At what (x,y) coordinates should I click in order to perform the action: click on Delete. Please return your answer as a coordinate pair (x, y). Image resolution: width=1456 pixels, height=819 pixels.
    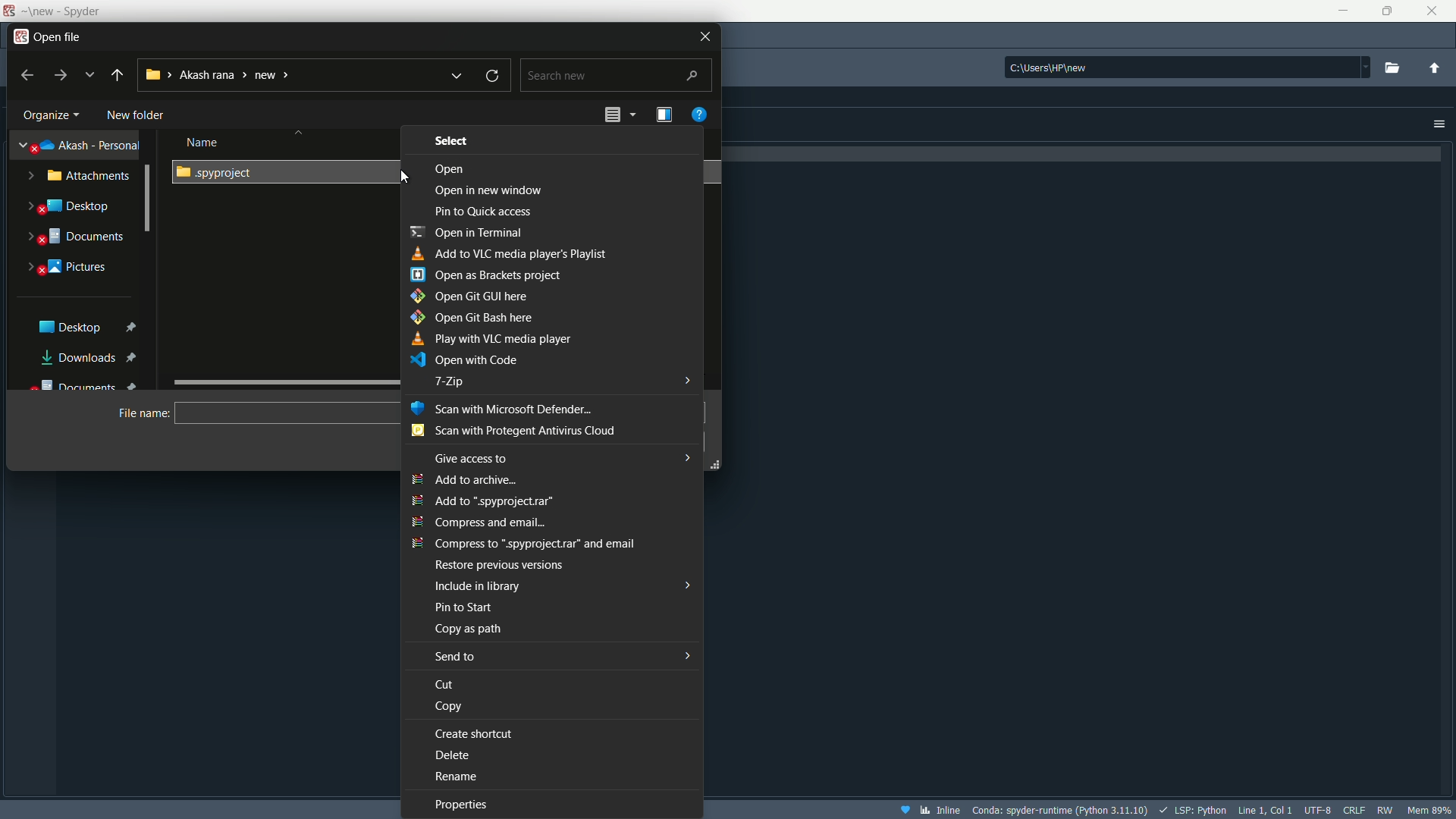
    Looking at the image, I should click on (460, 754).